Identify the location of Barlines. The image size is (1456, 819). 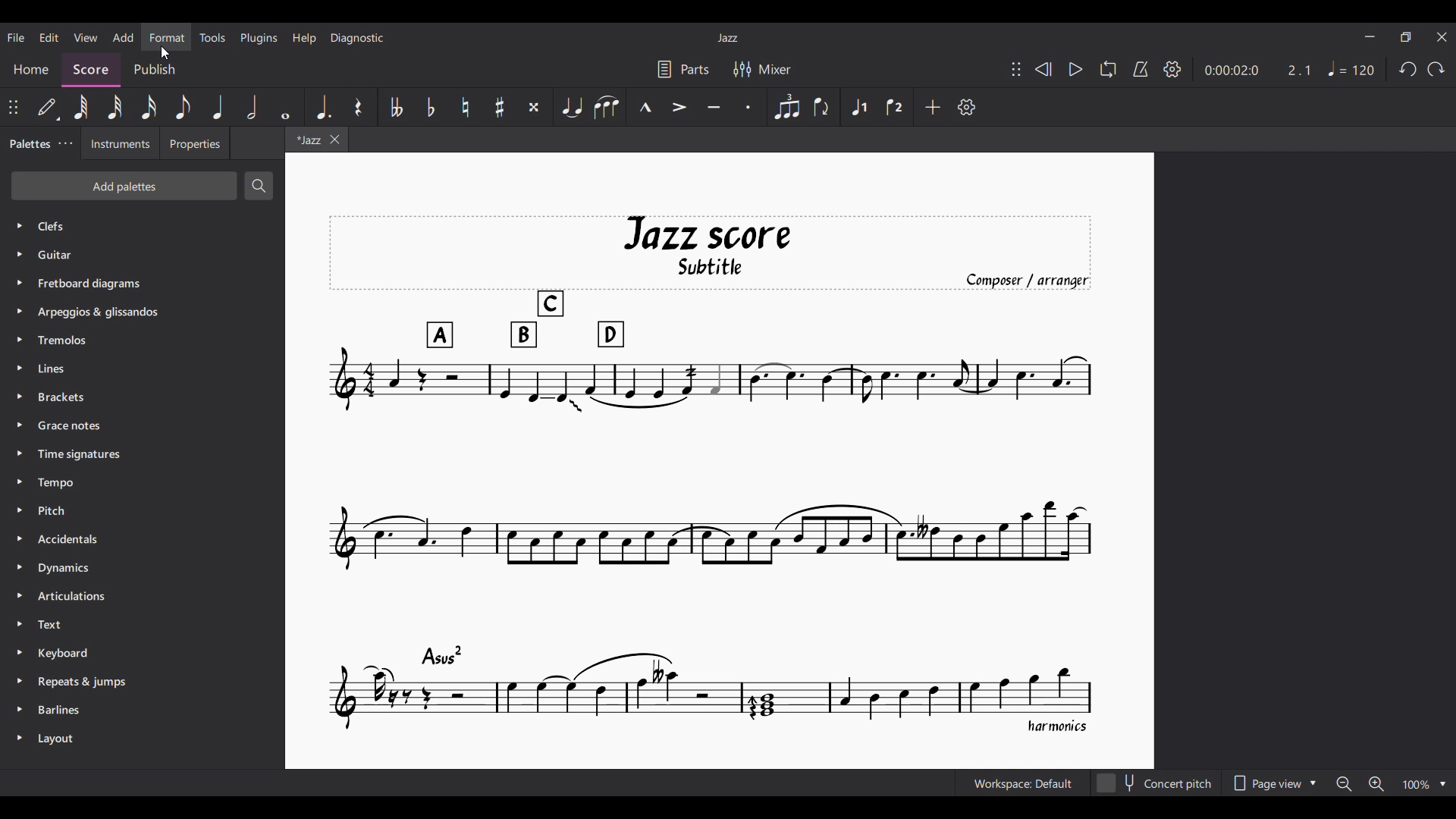
(64, 711).